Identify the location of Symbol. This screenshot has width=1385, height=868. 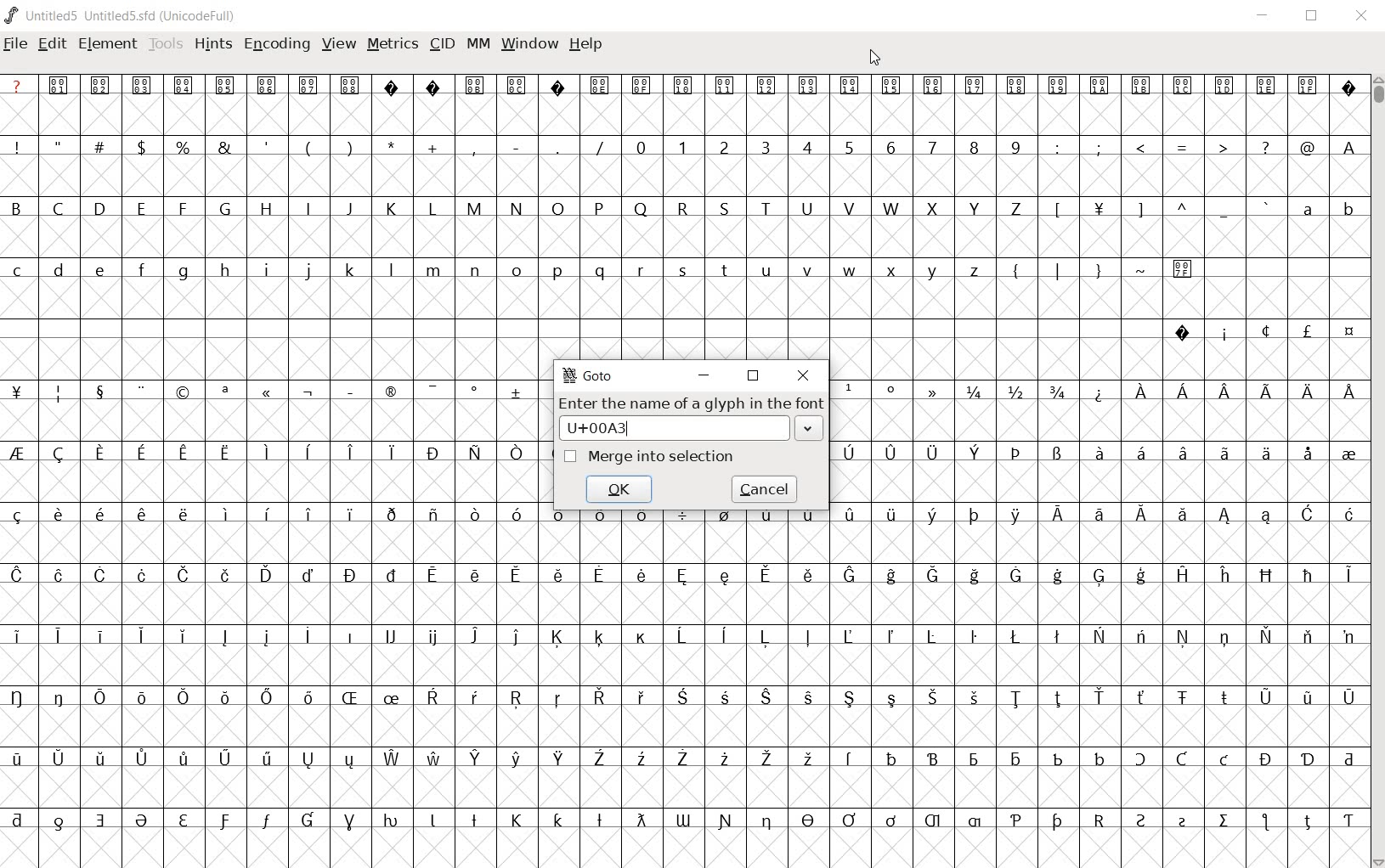
(1308, 576).